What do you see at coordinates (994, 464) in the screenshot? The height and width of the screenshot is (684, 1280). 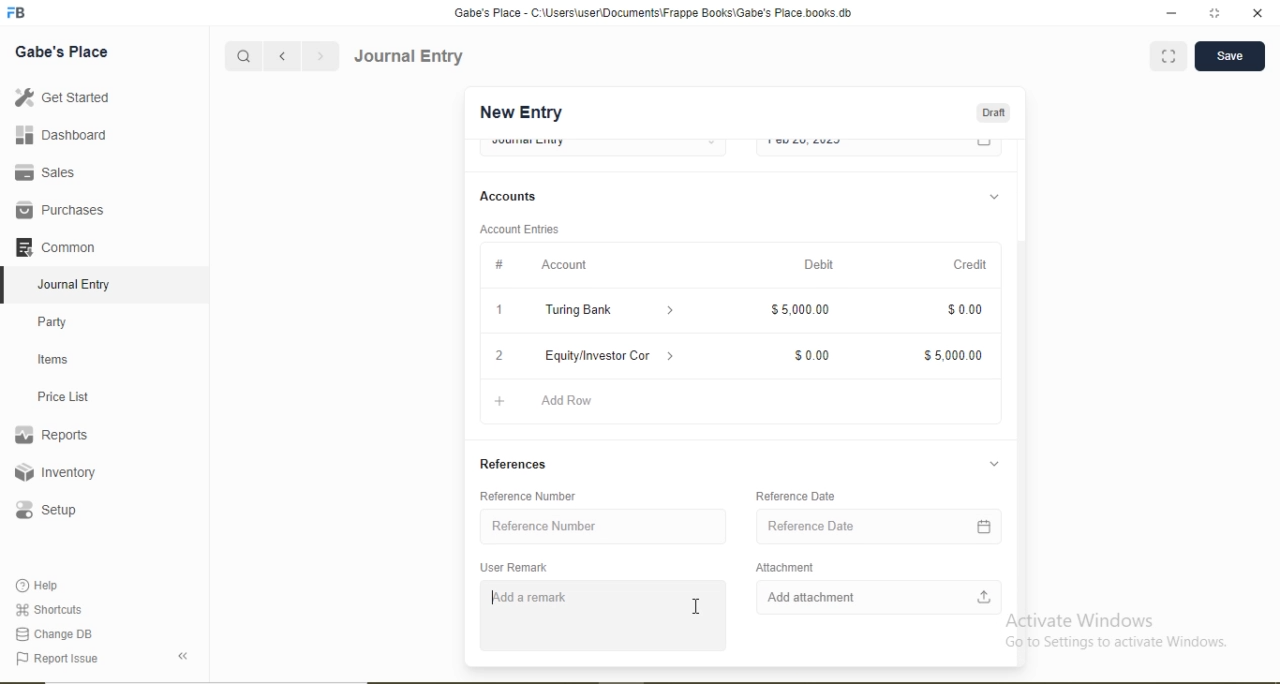 I see `Dropdown` at bounding box center [994, 464].